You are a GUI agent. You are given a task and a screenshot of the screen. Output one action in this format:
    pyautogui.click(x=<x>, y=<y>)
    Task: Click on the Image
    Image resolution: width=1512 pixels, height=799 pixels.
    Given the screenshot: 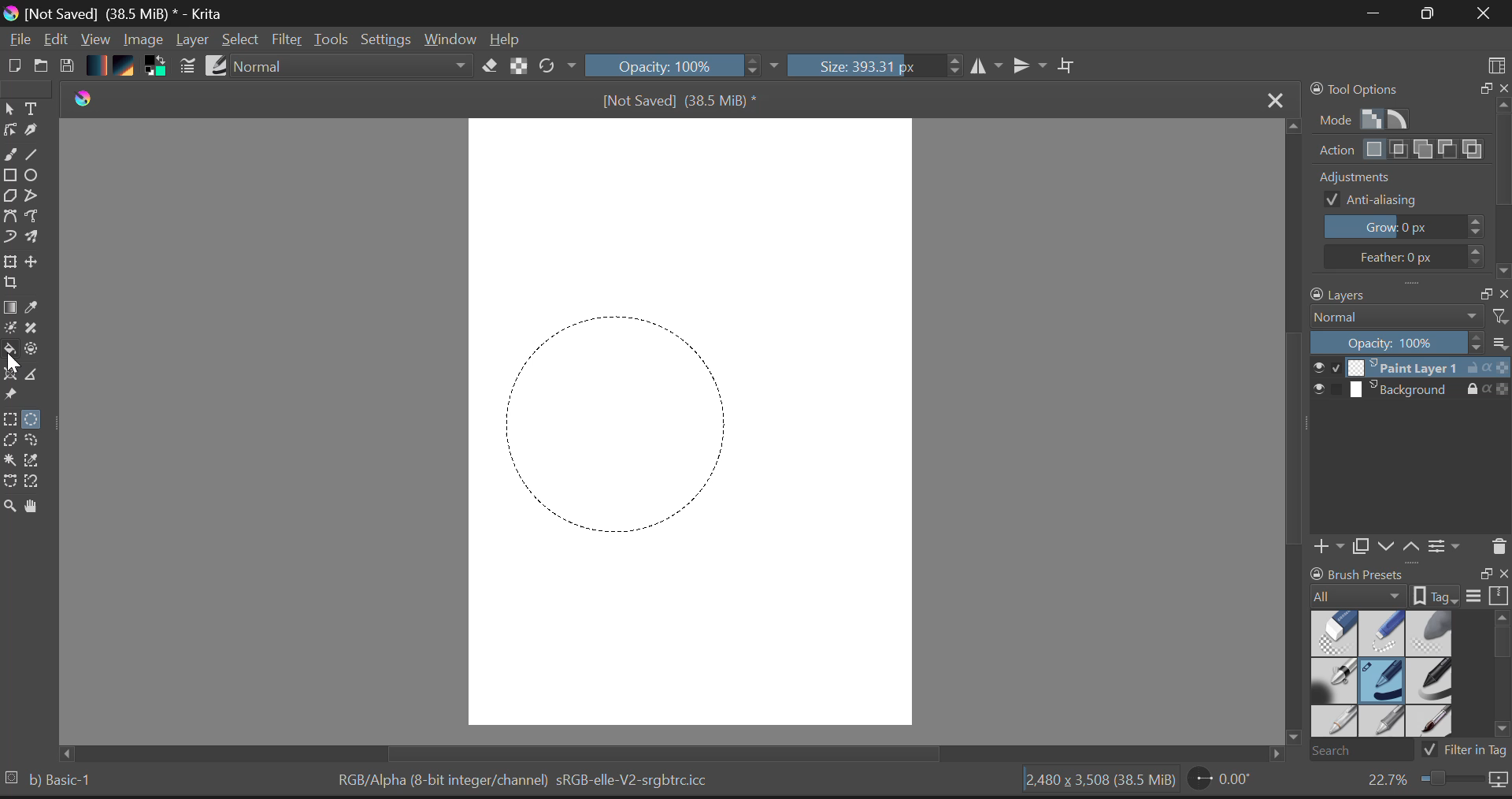 What is the action you would take?
    pyautogui.click(x=143, y=39)
    